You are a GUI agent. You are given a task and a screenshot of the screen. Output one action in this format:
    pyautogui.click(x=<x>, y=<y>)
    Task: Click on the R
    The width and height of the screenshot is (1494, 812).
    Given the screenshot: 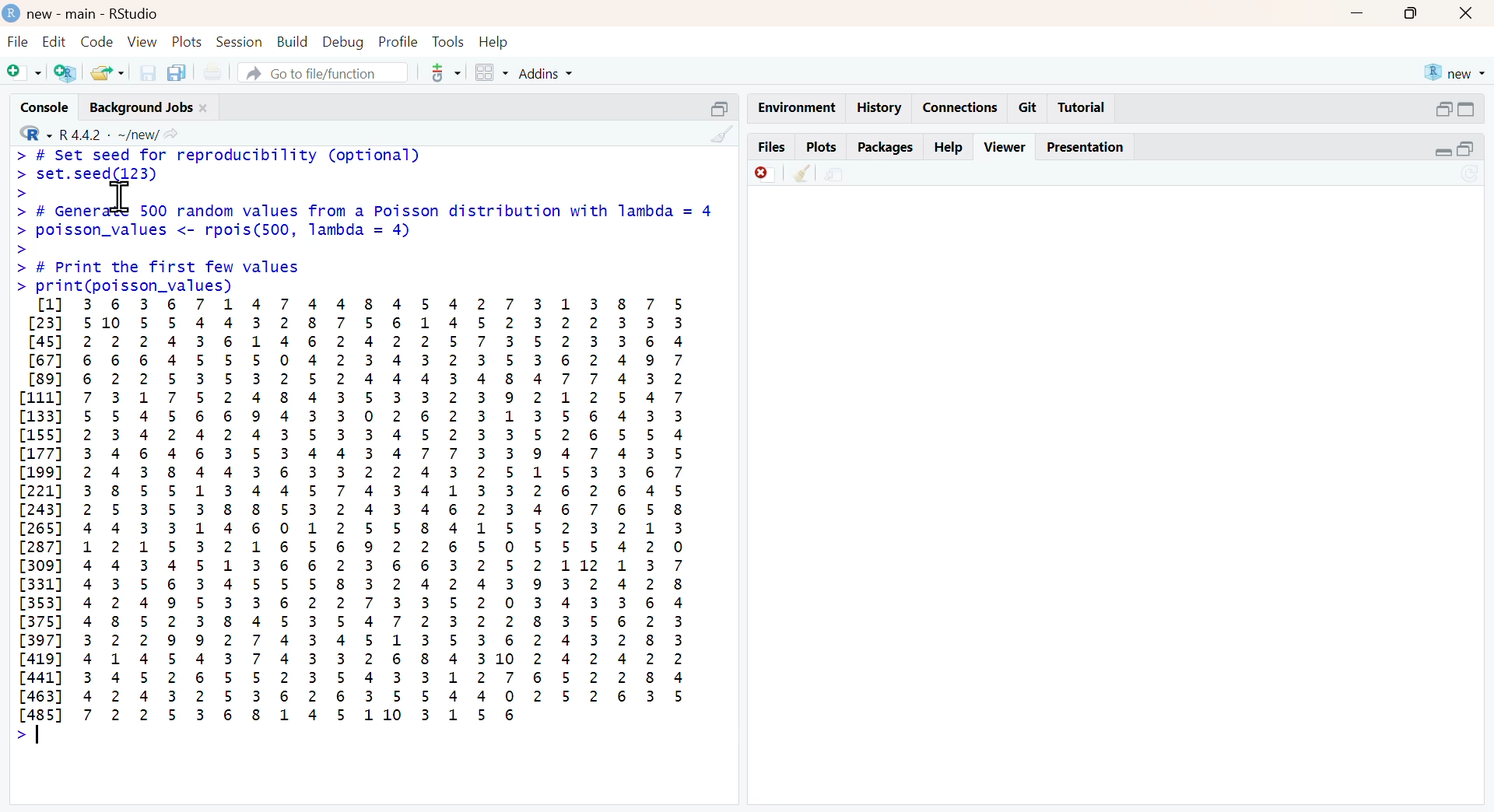 What is the action you would take?
    pyautogui.click(x=37, y=132)
    